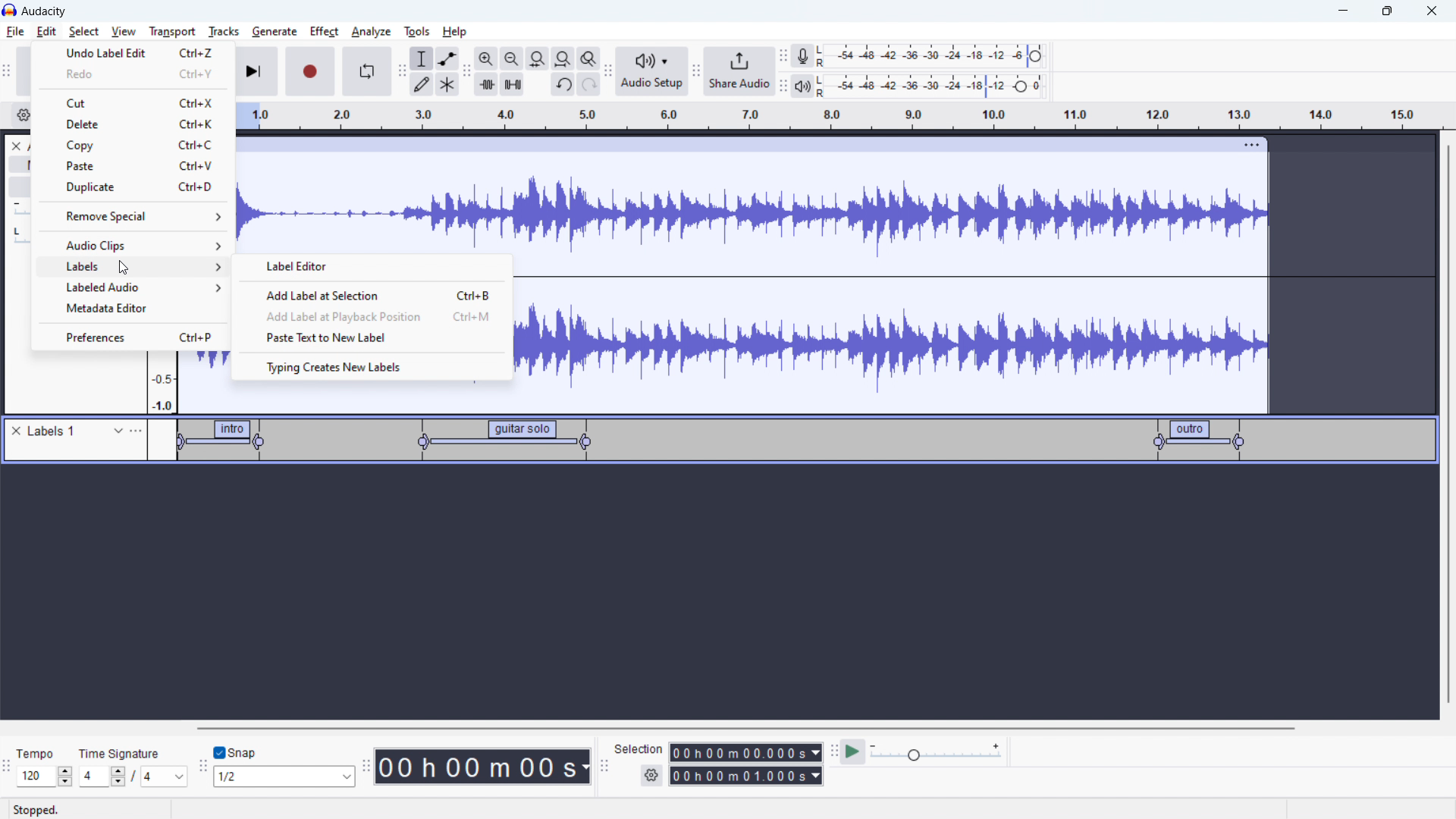 The image size is (1456, 819). What do you see at coordinates (124, 268) in the screenshot?
I see `cursor` at bounding box center [124, 268].